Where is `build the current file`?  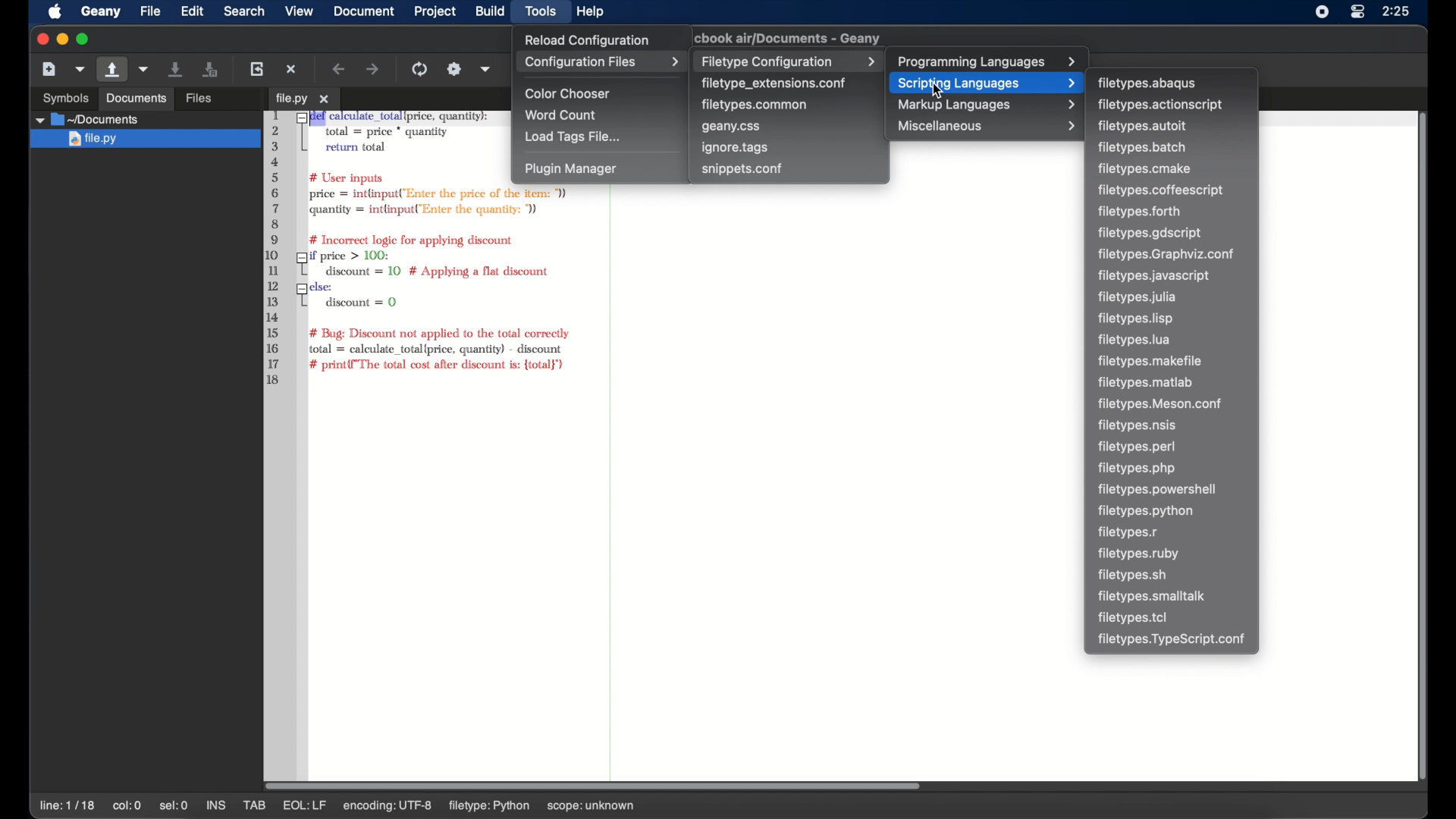 build the current file is located at coordinates (454, 69).